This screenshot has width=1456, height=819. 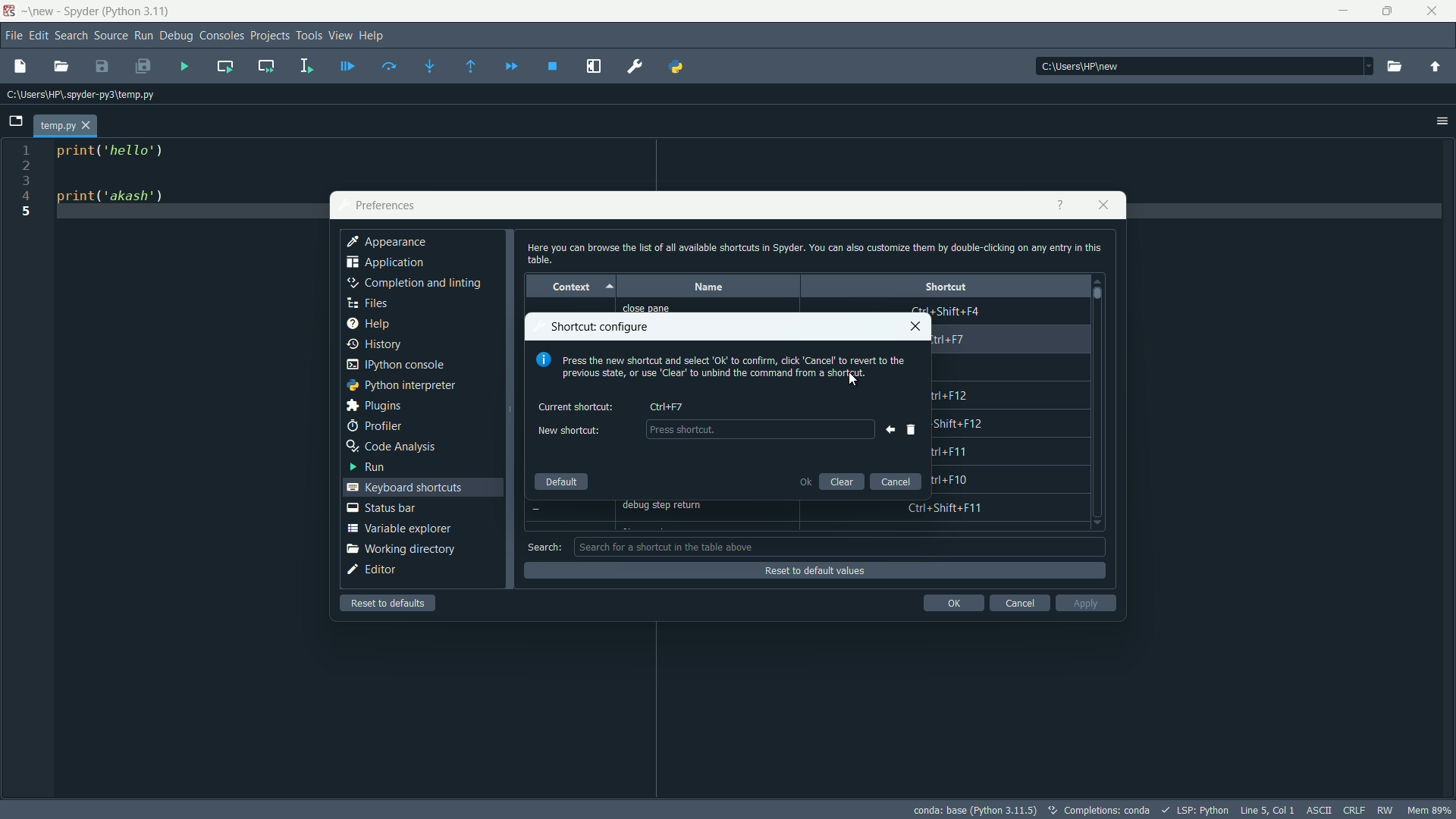 I want to click on default, so click(x=562, y=482).